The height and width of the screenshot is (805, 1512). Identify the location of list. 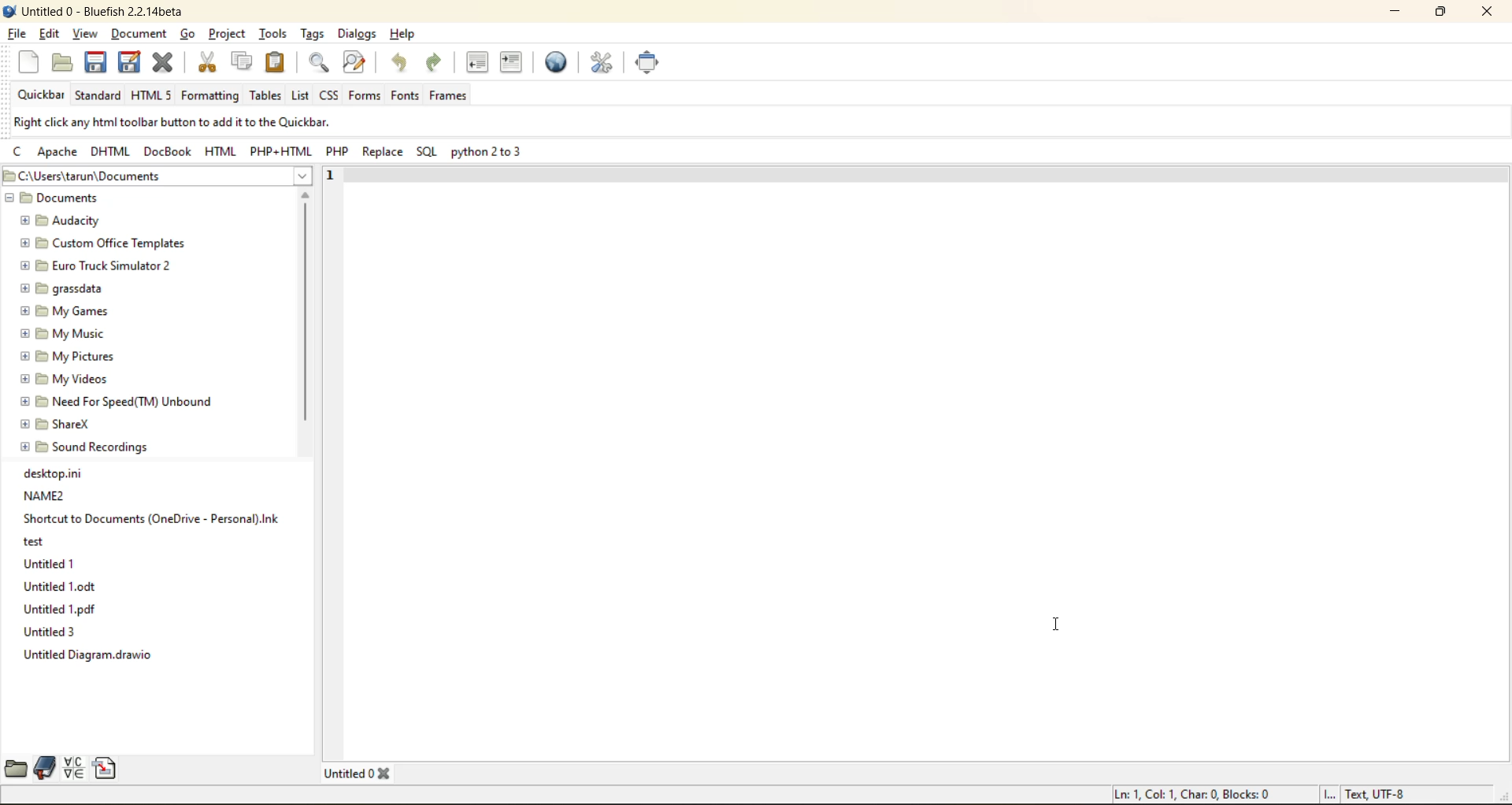
(301, 96).